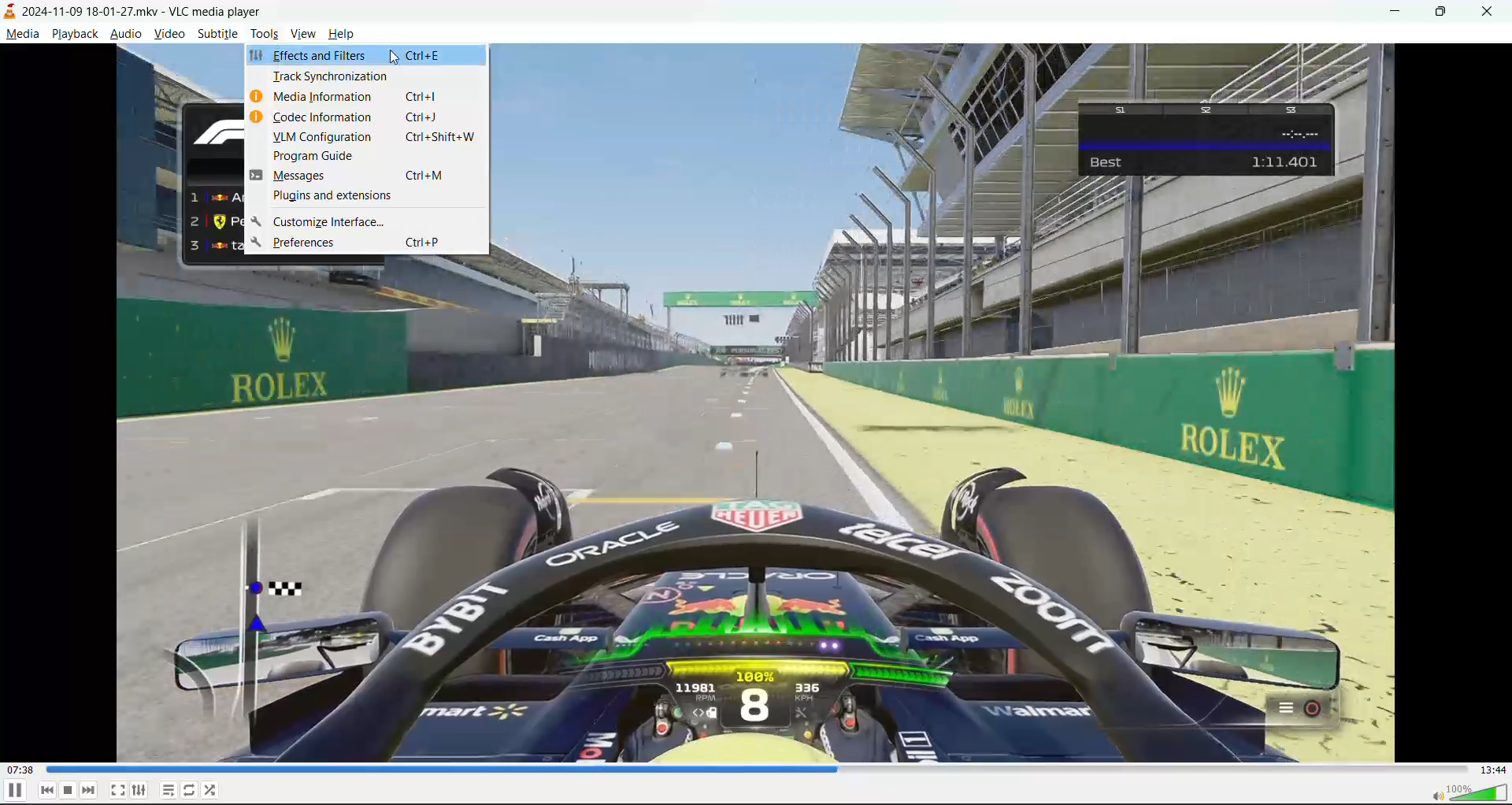 The image size is (1512, 805). Describe the element at coordinates (759, 770) in the screenshot. I see `track slider` at that location.